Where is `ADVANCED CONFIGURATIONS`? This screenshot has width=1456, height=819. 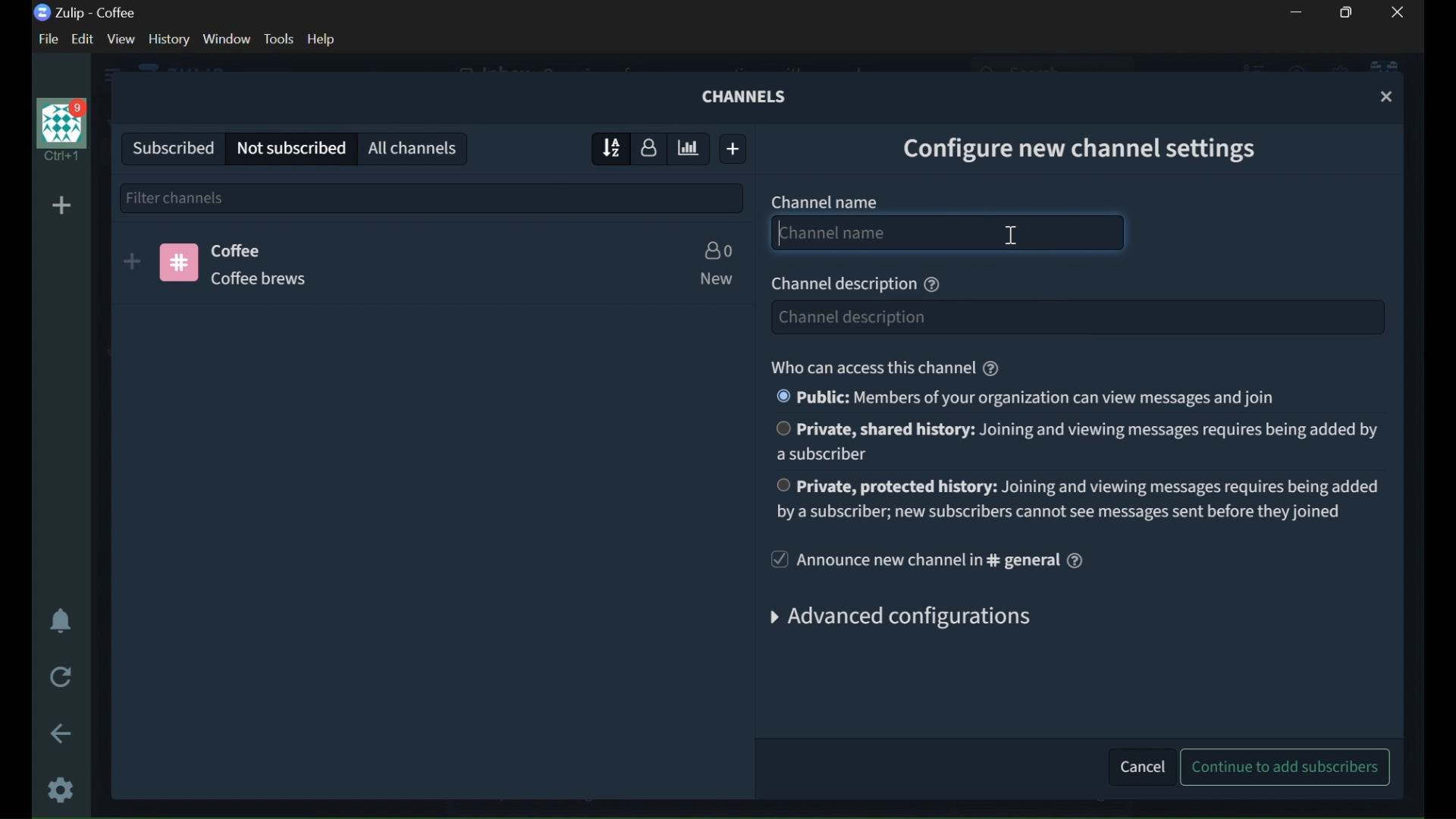
ADVANCED CONFIGURATIONS is located at coordinates (911, 620).